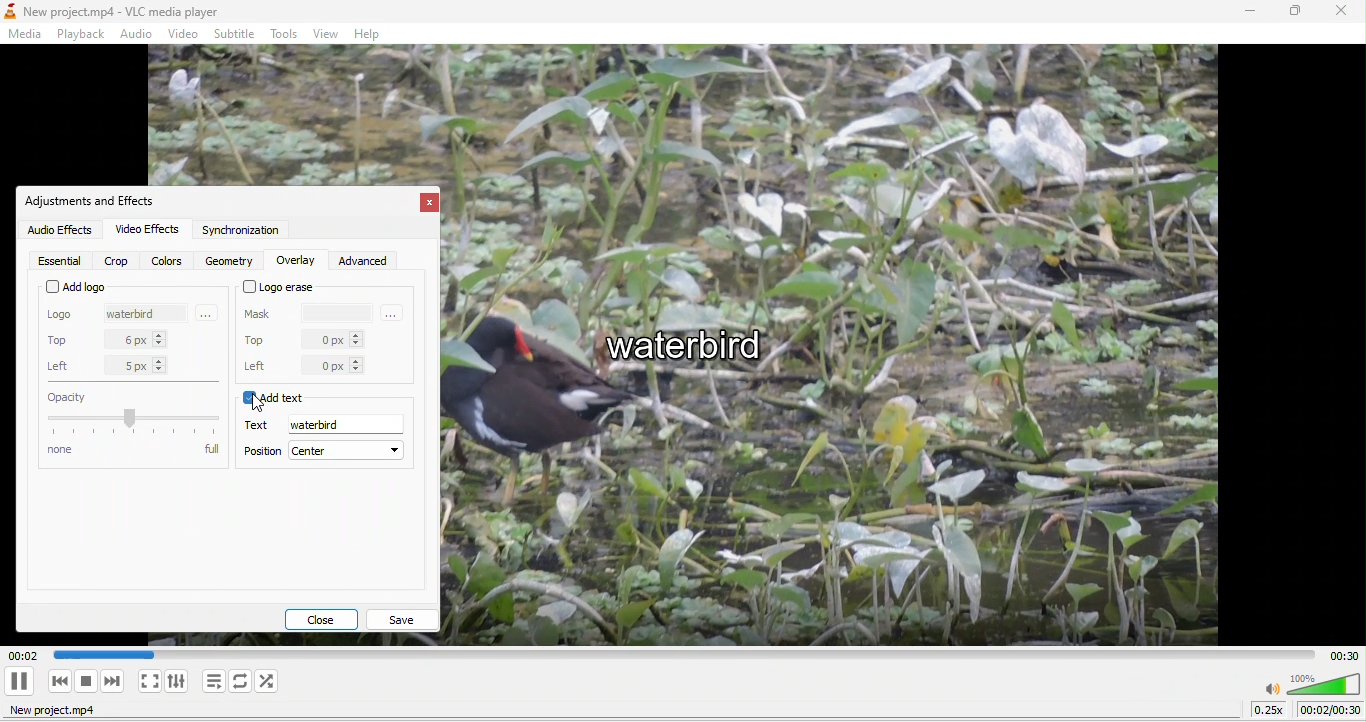 The height and width of the screenshot is (722, 1366). Describe the element at coordinates (64, 451) in the screenshot. I see `none` at that location.